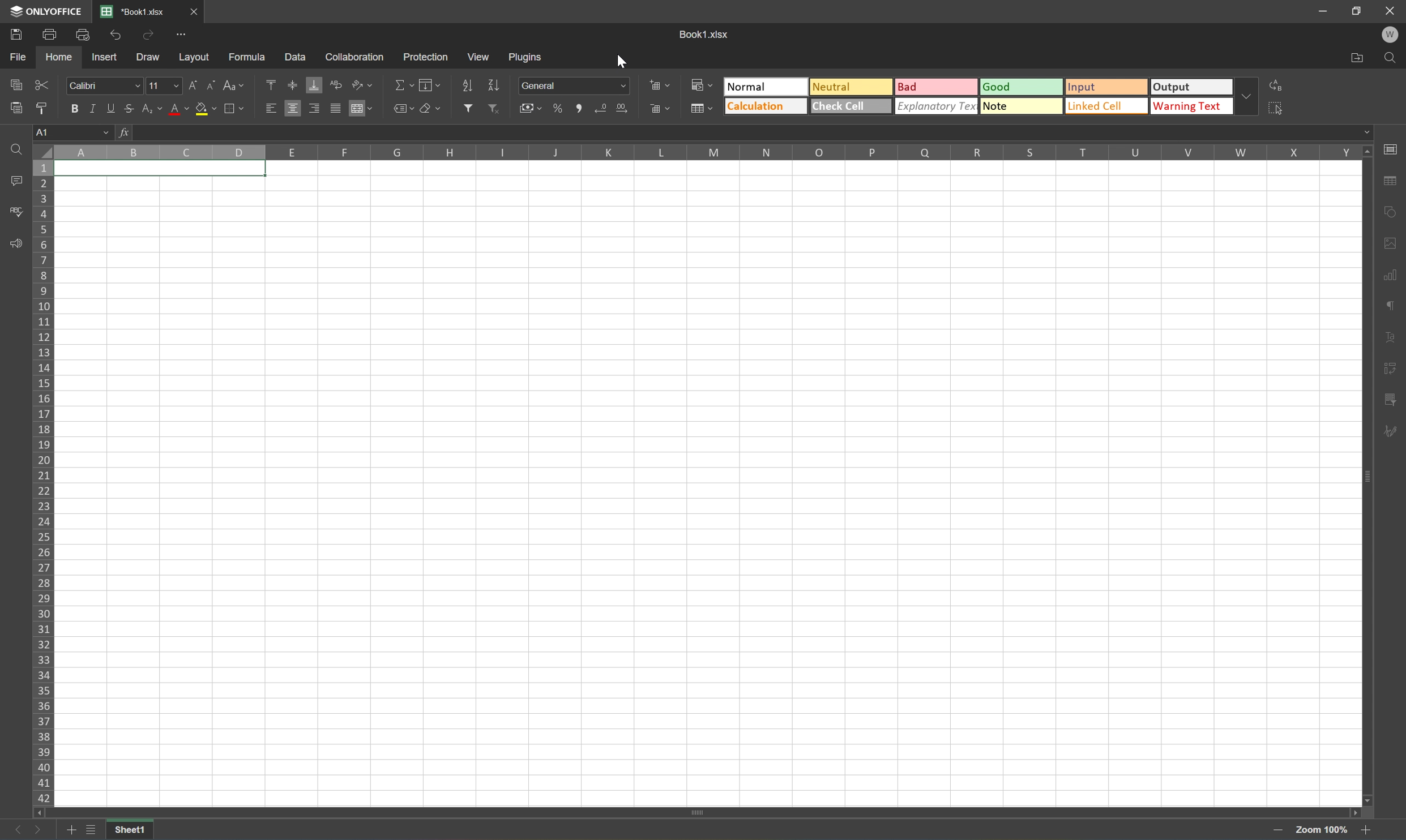 The width and height of the screenshot is (1406, 840). What do you see at coordinates (425, 57) in the screenshot?
I see `Protection` at bounding box center [425, 57].